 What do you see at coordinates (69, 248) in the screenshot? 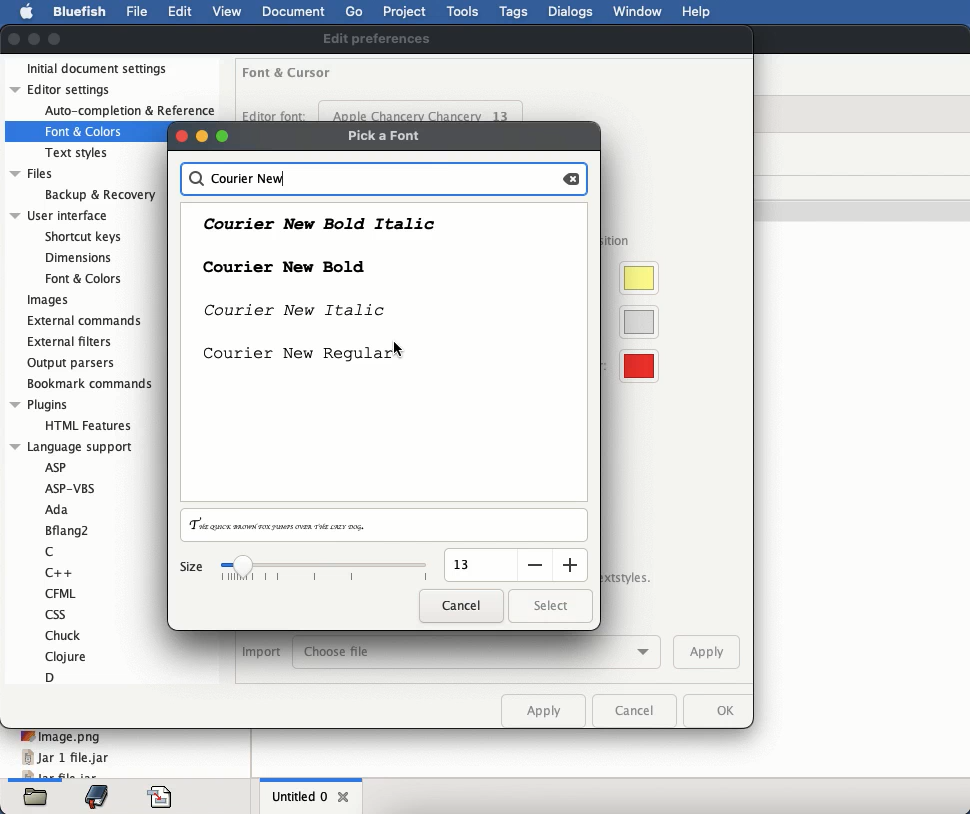
I see `user interface` at bounding box center [69, 248].